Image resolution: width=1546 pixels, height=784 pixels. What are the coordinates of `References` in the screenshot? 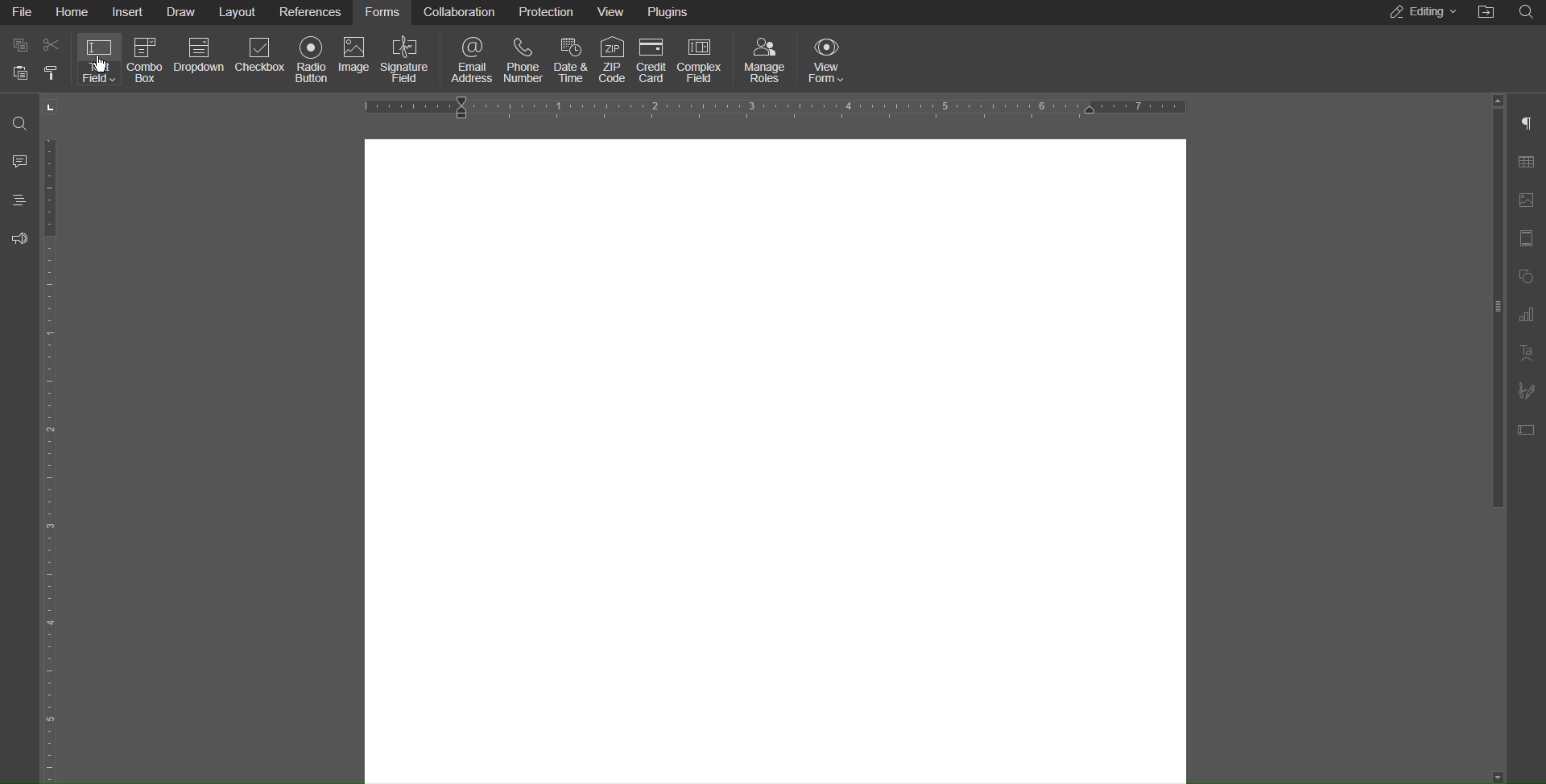 It's located at (312, 12).